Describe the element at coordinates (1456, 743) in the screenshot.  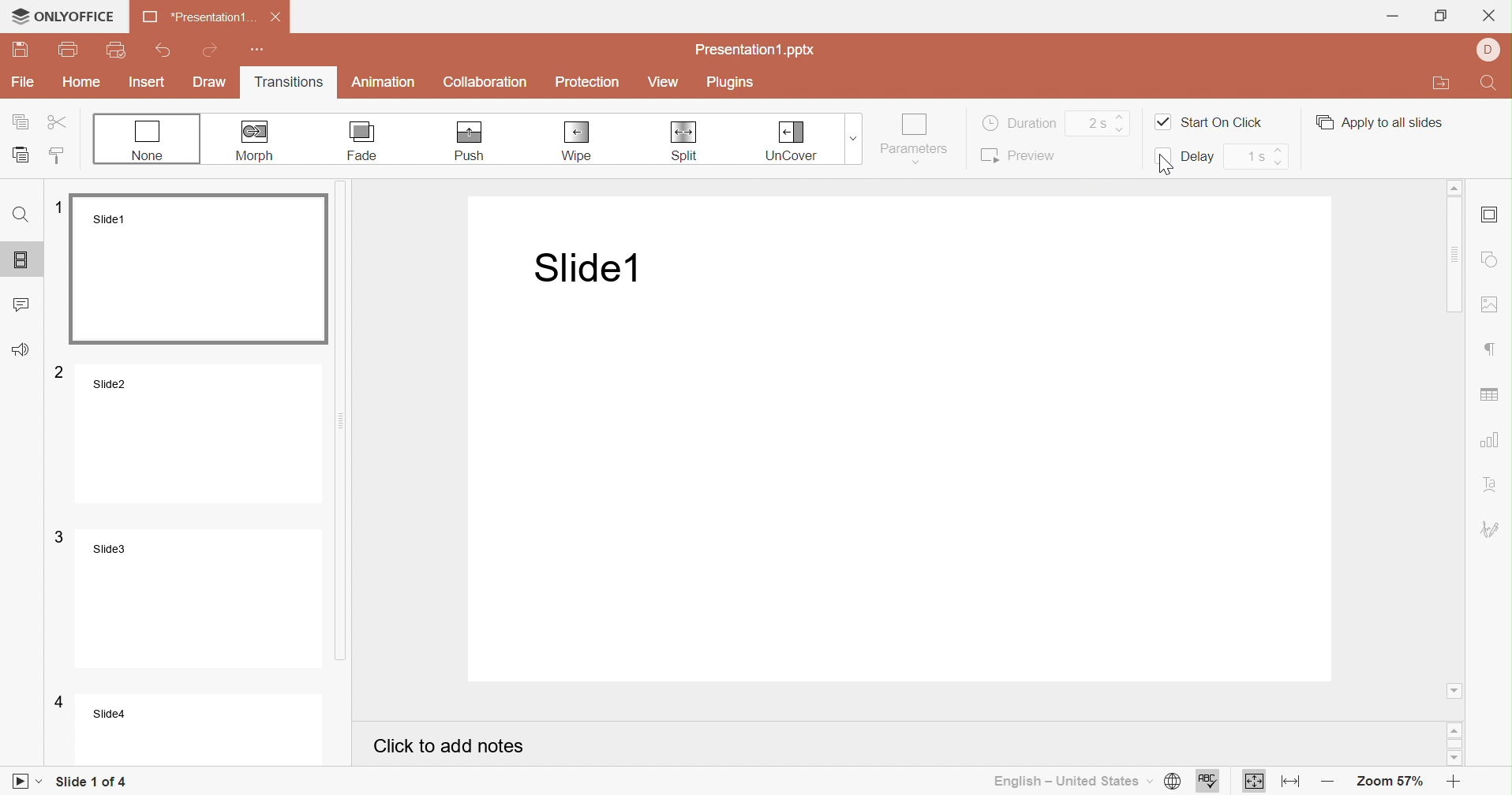
I see `Scroll bar` at that location.